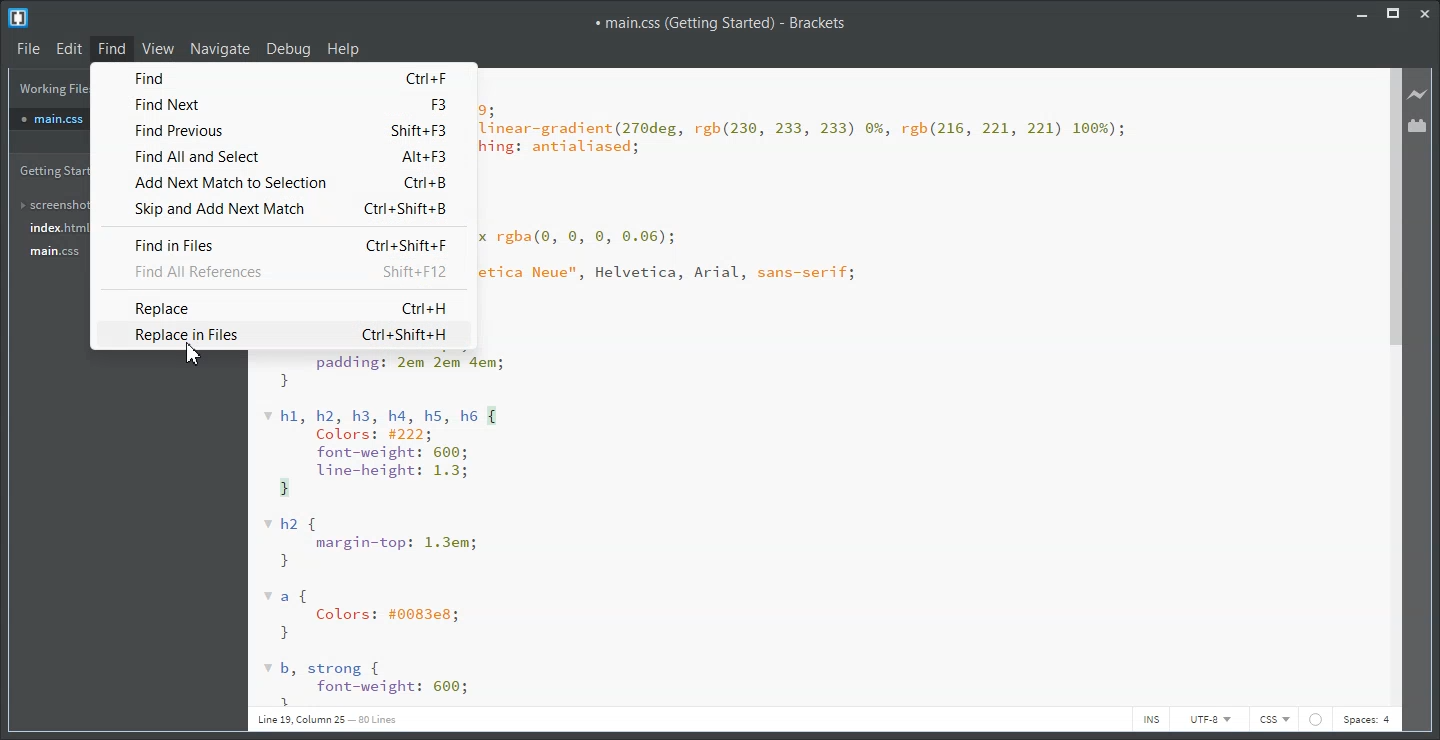 The width and height of the screenshot is (1440, 740). What do you see at coordinates (111, 49) in the screenshot?
I see `Find` at bounding box center [111, 49].